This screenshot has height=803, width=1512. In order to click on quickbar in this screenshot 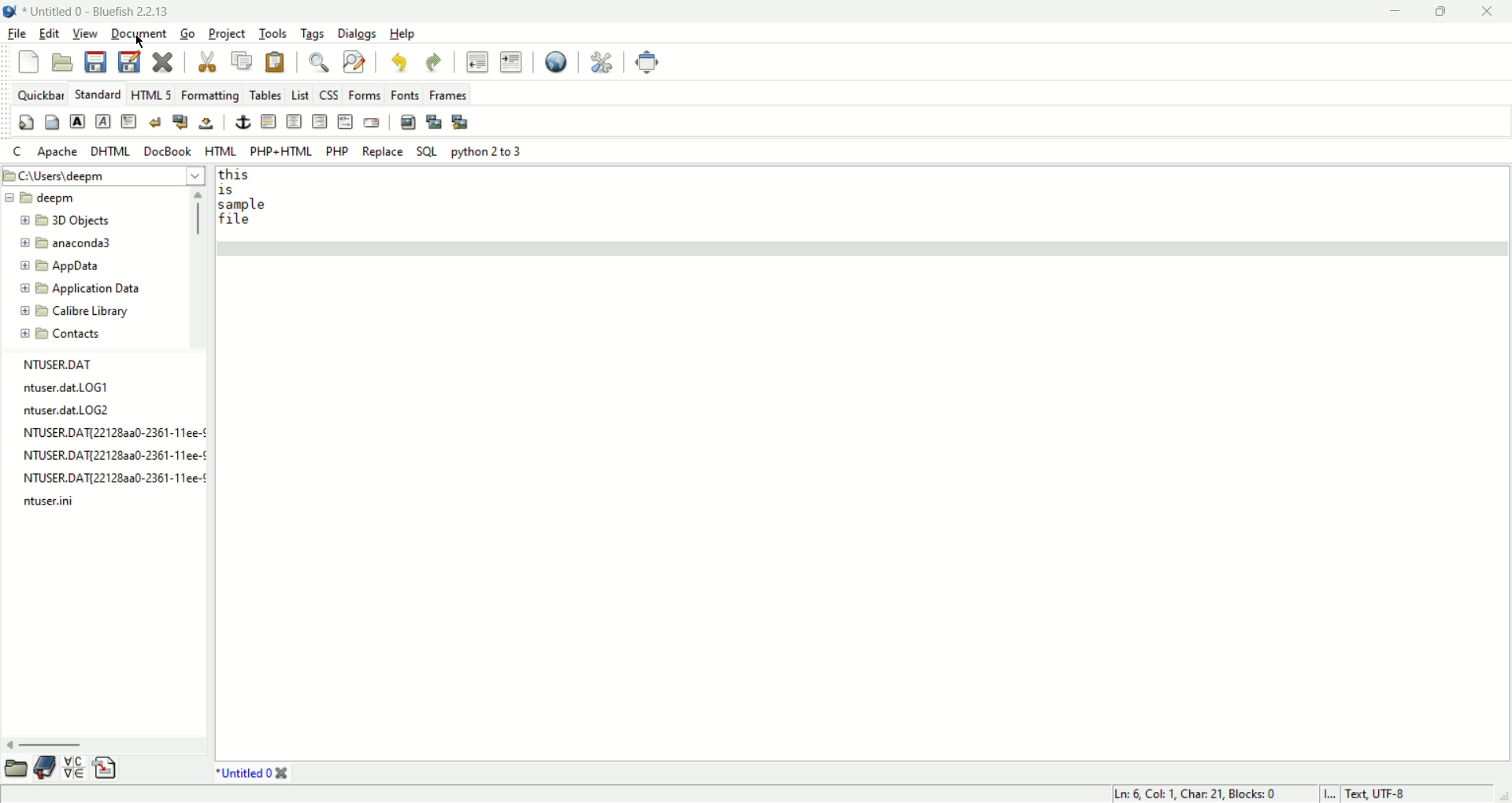, I will do `click(44, 94)`.